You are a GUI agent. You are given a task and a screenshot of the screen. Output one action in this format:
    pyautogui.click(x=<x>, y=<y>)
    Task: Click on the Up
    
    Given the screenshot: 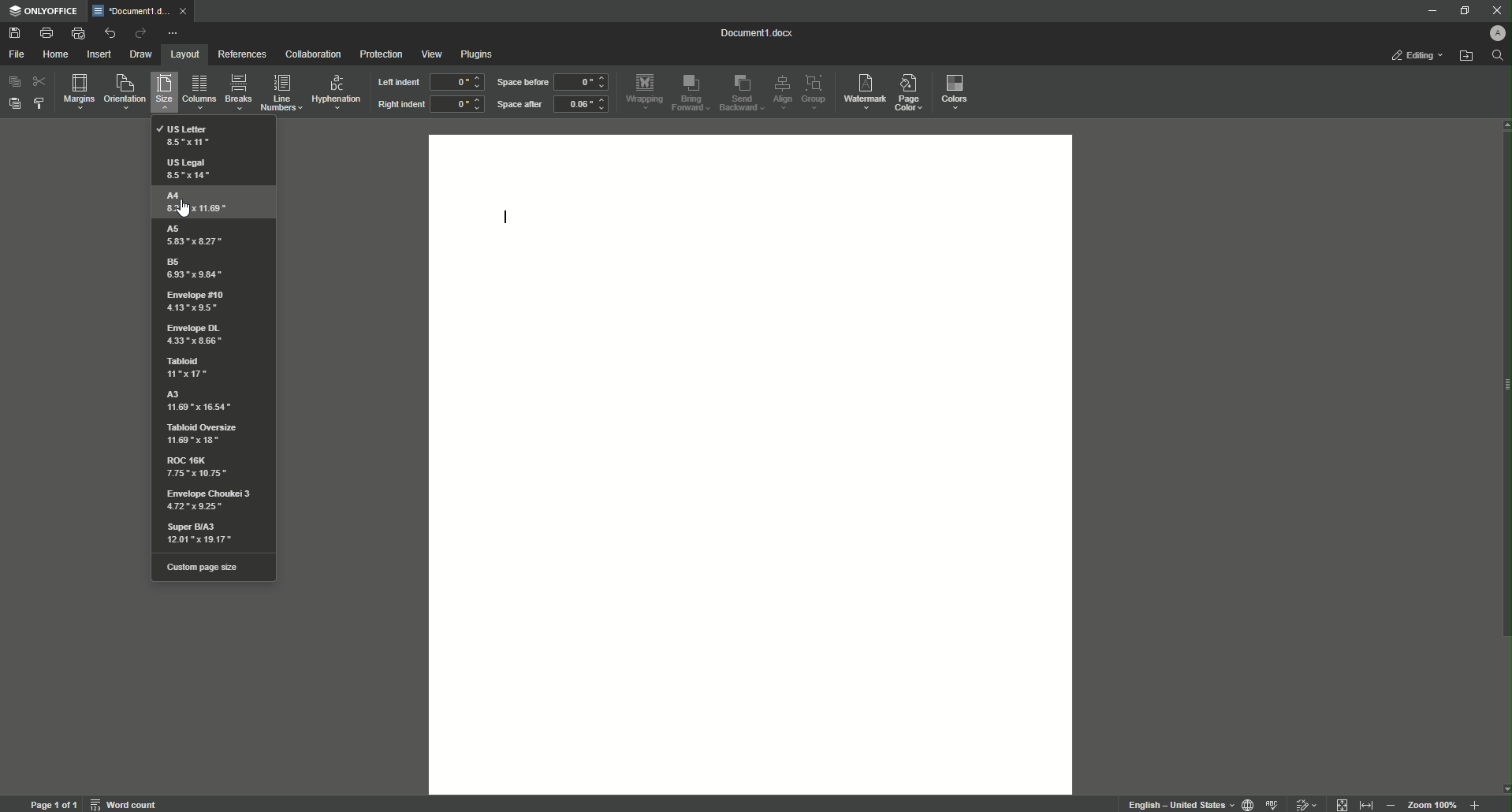 What is the action you would take?
    pyautogui.click(x=1502, y=126)
    